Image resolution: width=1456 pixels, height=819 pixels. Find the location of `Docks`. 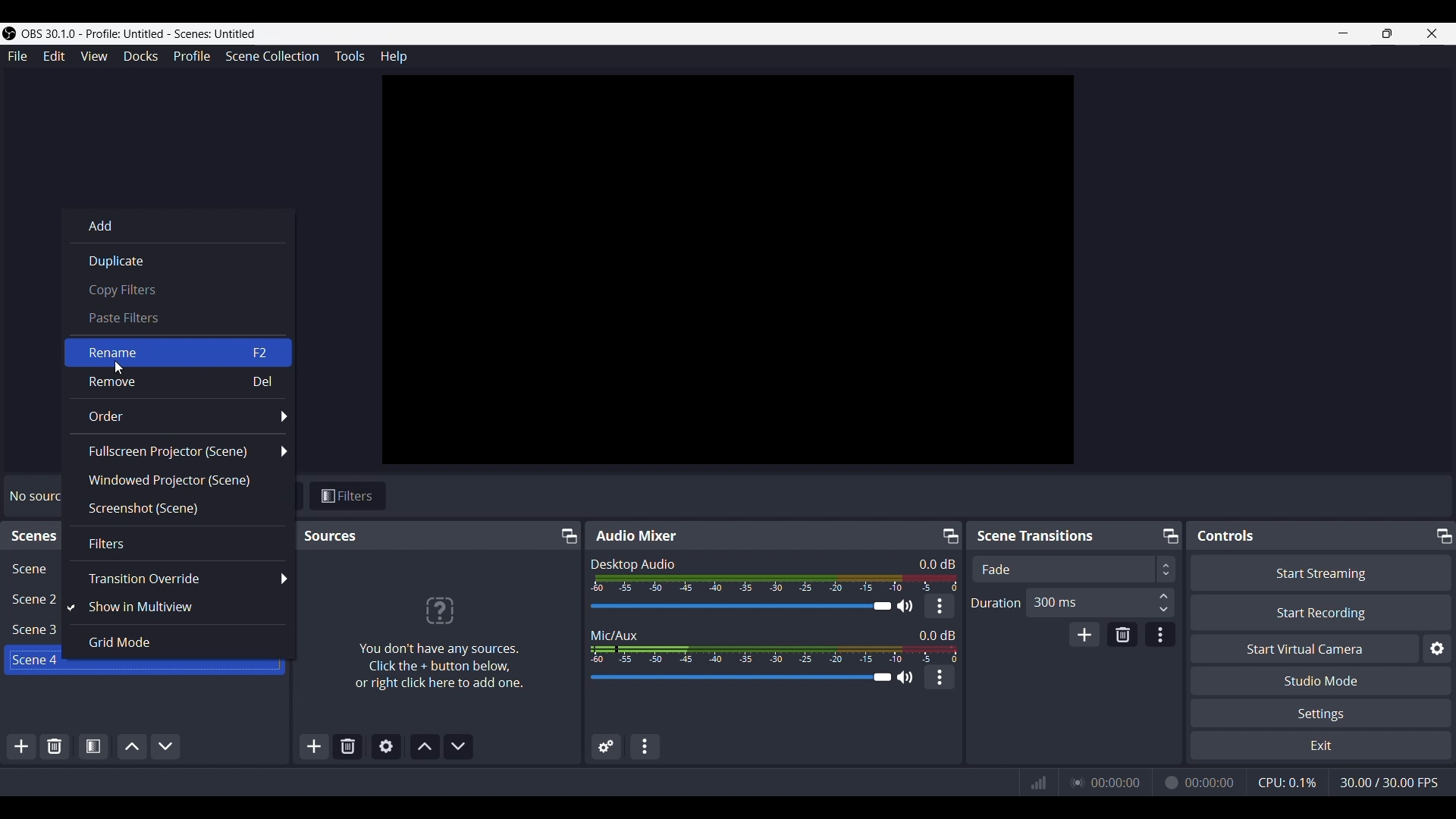

Docks is located at coordinates (141, 57).